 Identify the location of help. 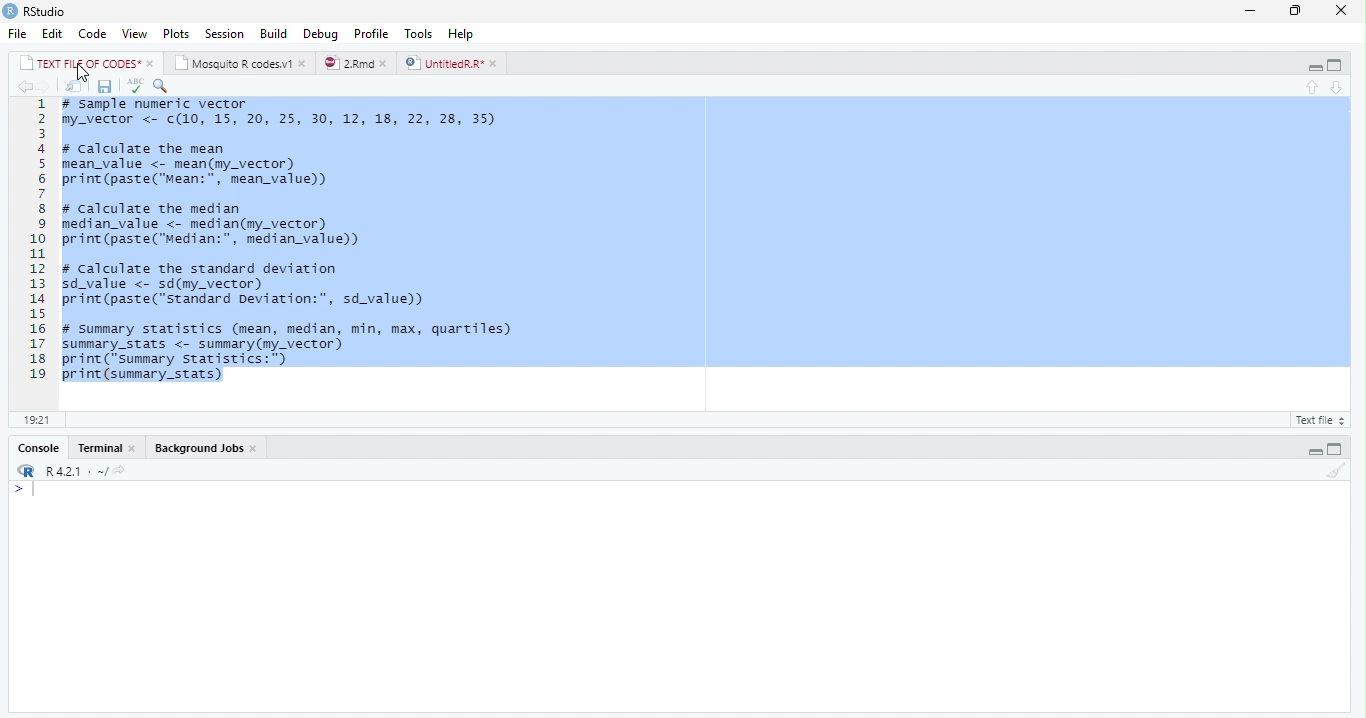
(461, 34).